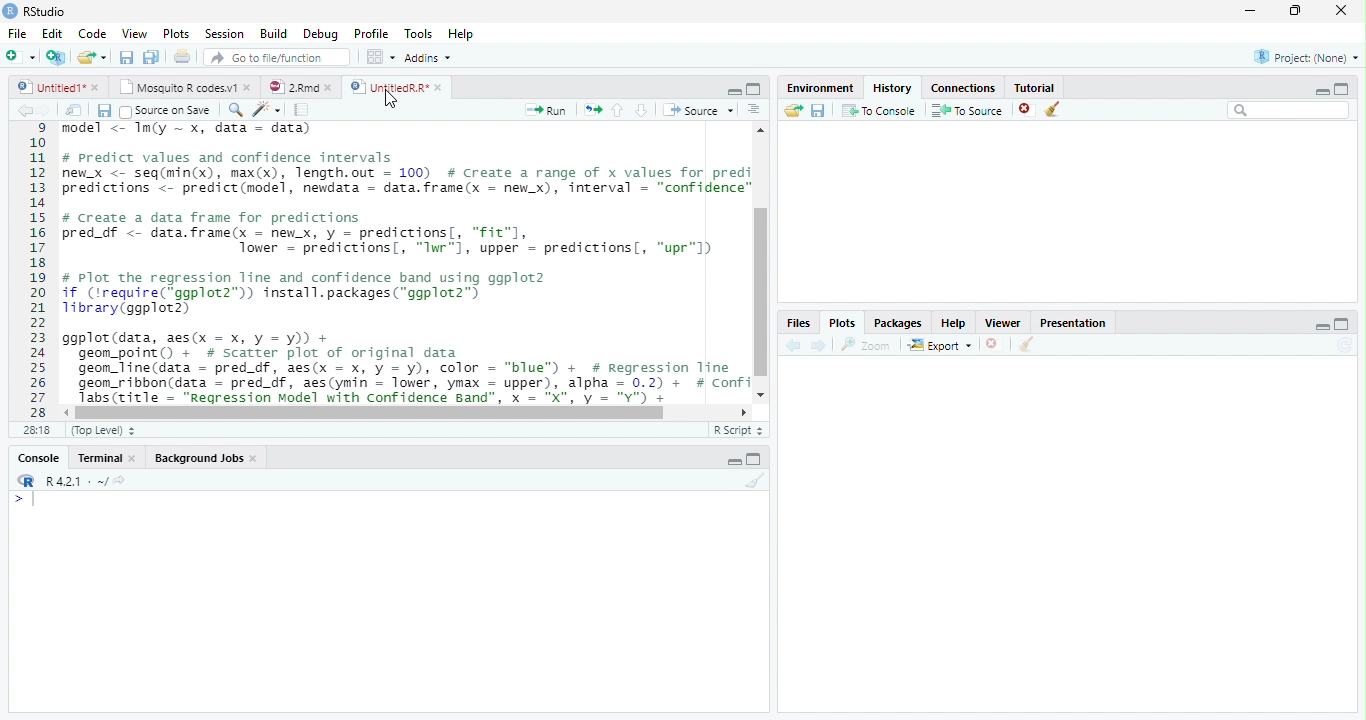 The image size is (1366, 720). I want to click on Viewer, so click(1004, 325).